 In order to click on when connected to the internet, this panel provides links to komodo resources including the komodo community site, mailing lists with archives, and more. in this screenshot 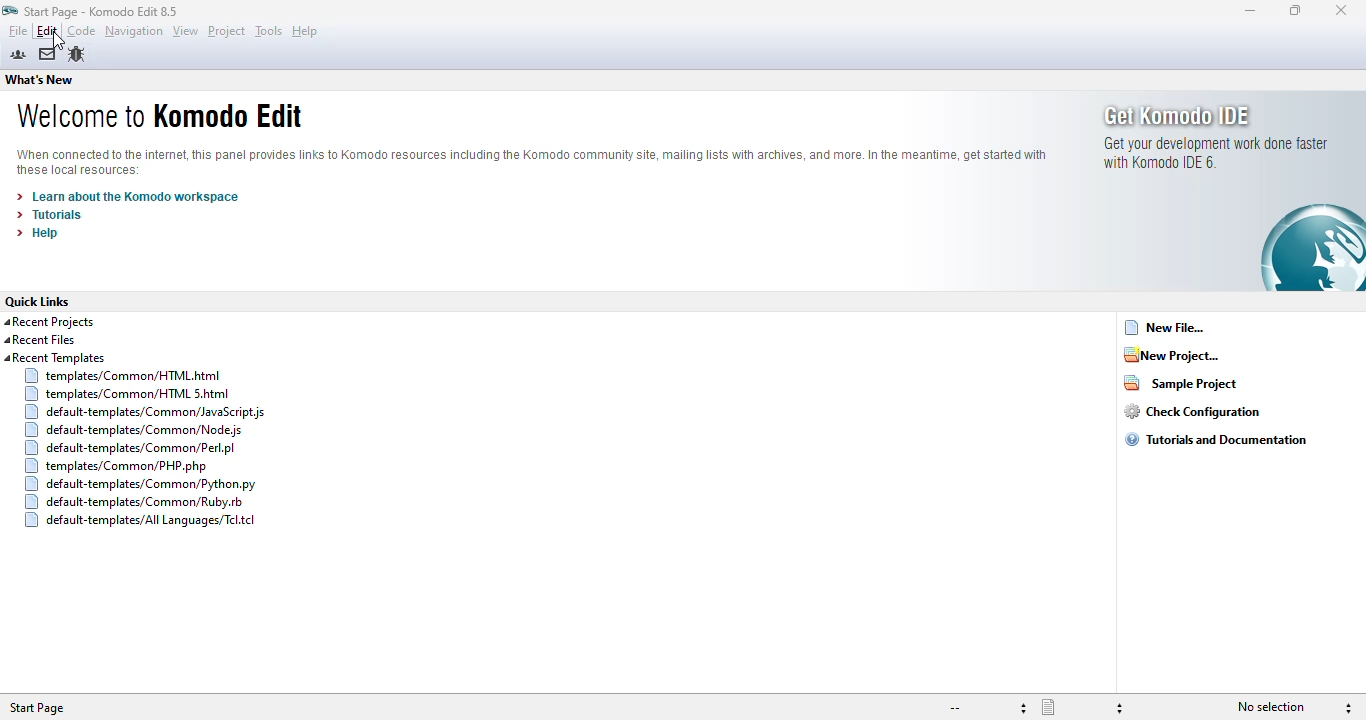, I will do `click(532, 164)`.